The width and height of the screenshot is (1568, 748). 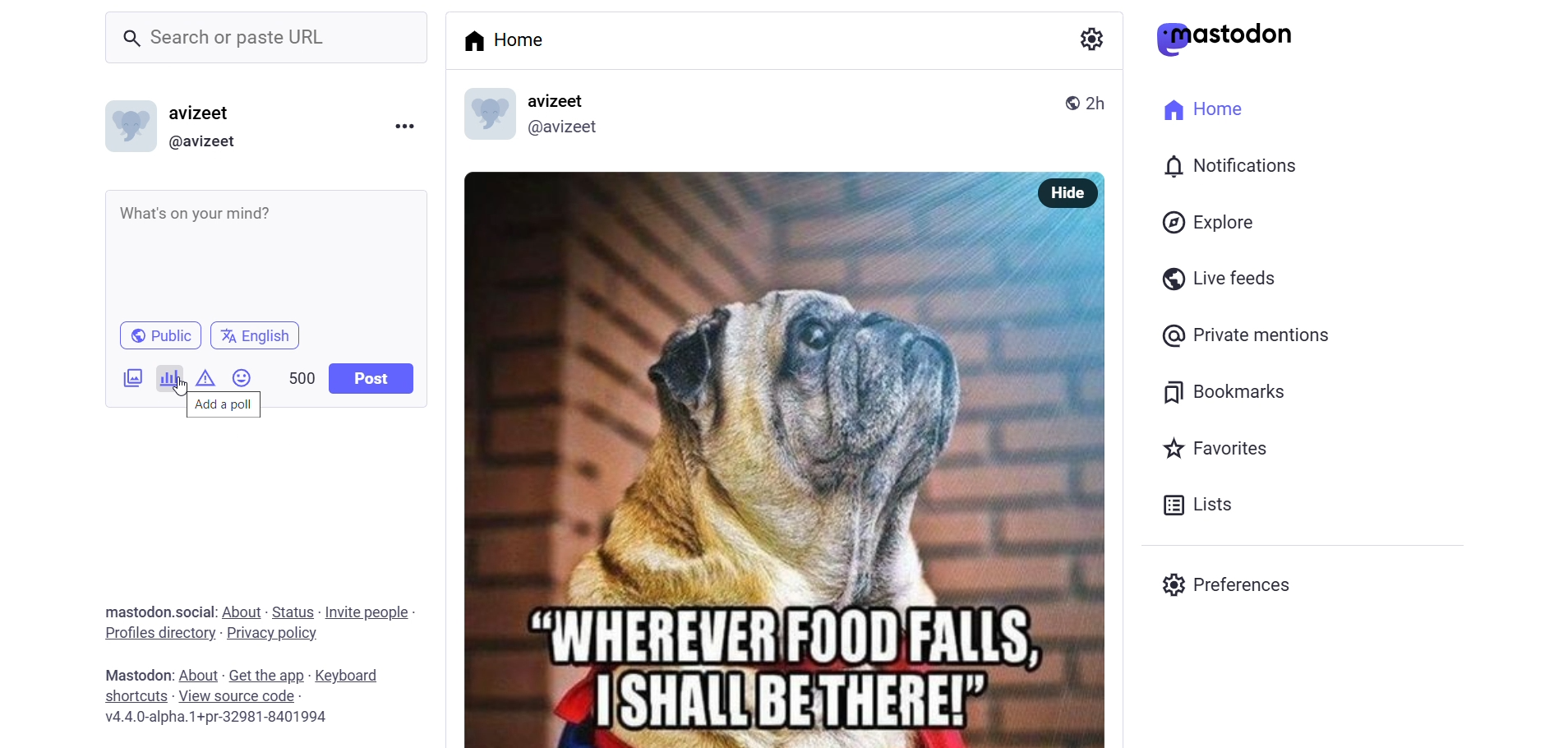 I want to click on more, so click(x=404, y=124).